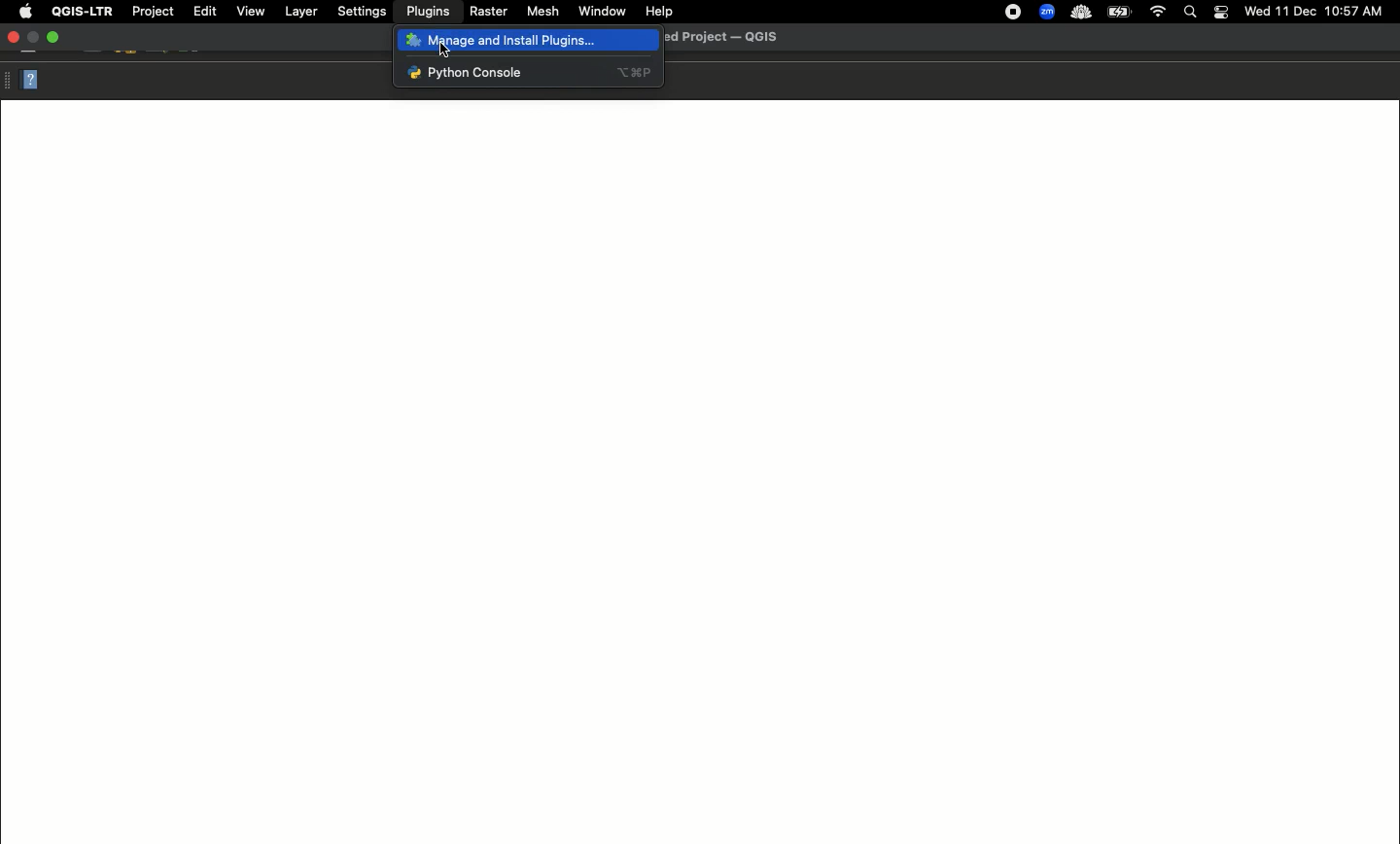 This screenshot has height=844, width=1400. What do you see at coordinates (730, 38) in the screenshot?
I see `Name` at bounding box center [730, 38].